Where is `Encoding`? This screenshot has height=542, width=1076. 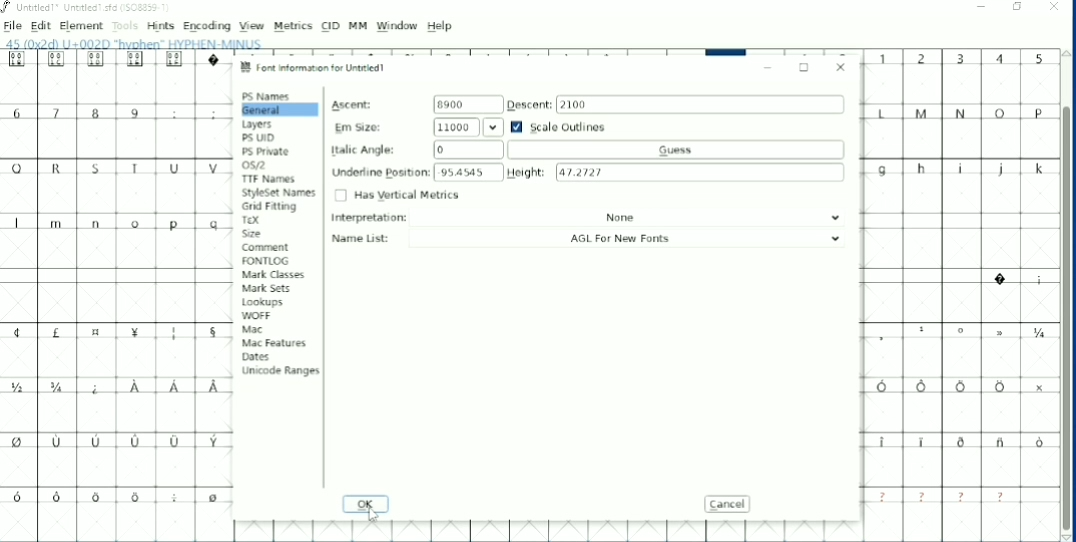 Encoding is located at coordinates (206, 26).